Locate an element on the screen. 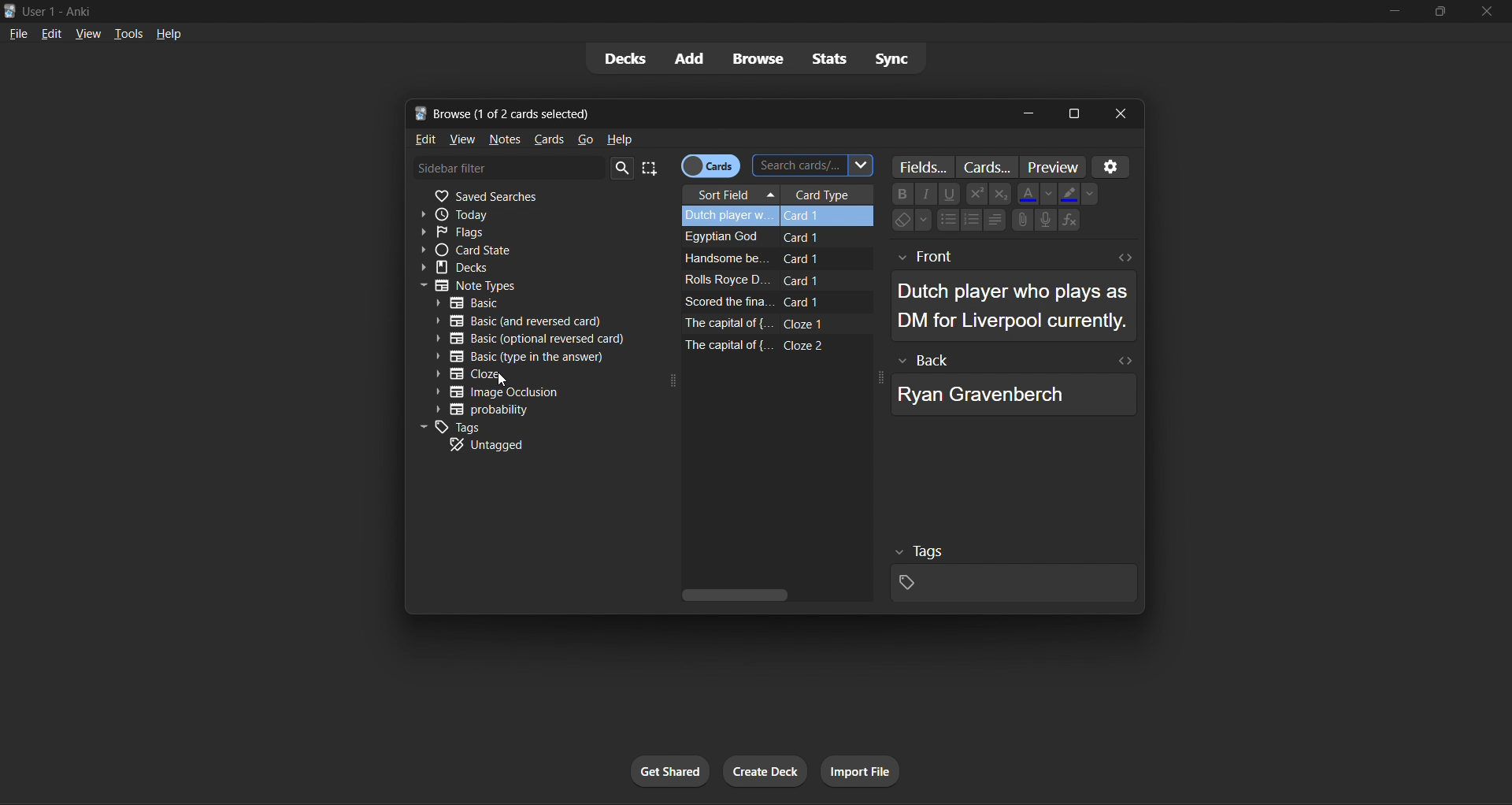  maximize is located at coordinates (1073, 114).